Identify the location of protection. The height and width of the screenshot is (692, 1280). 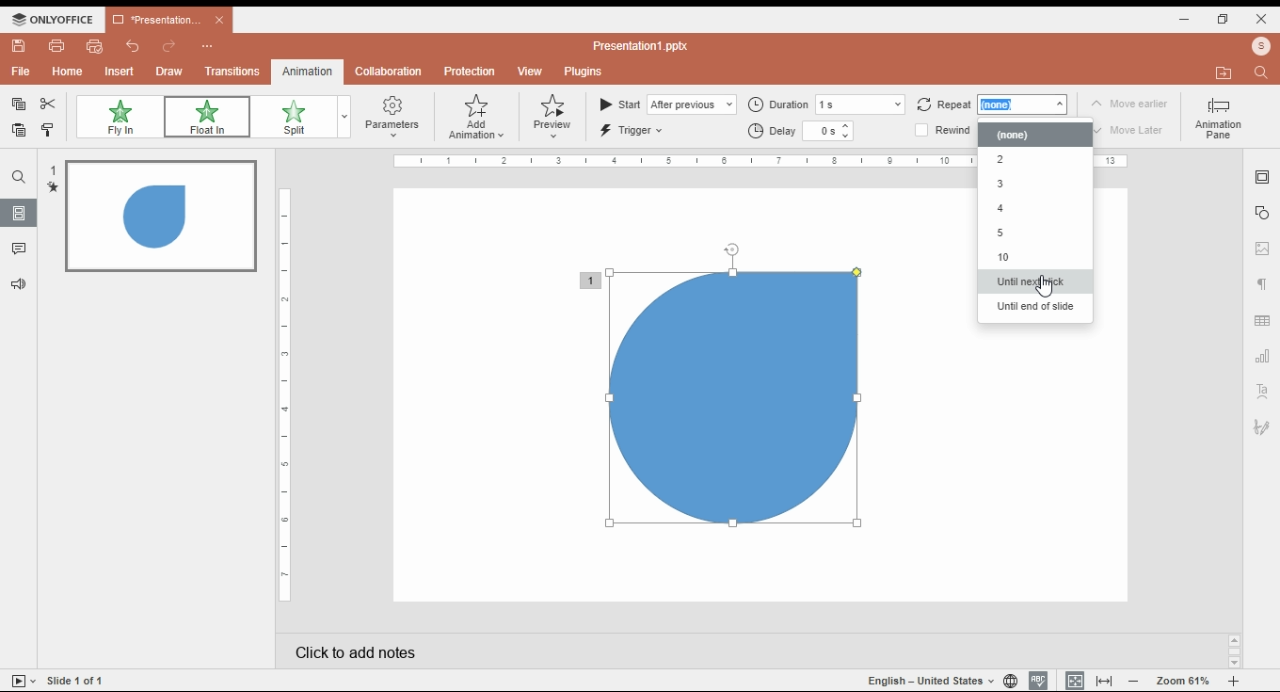
(469, 71).